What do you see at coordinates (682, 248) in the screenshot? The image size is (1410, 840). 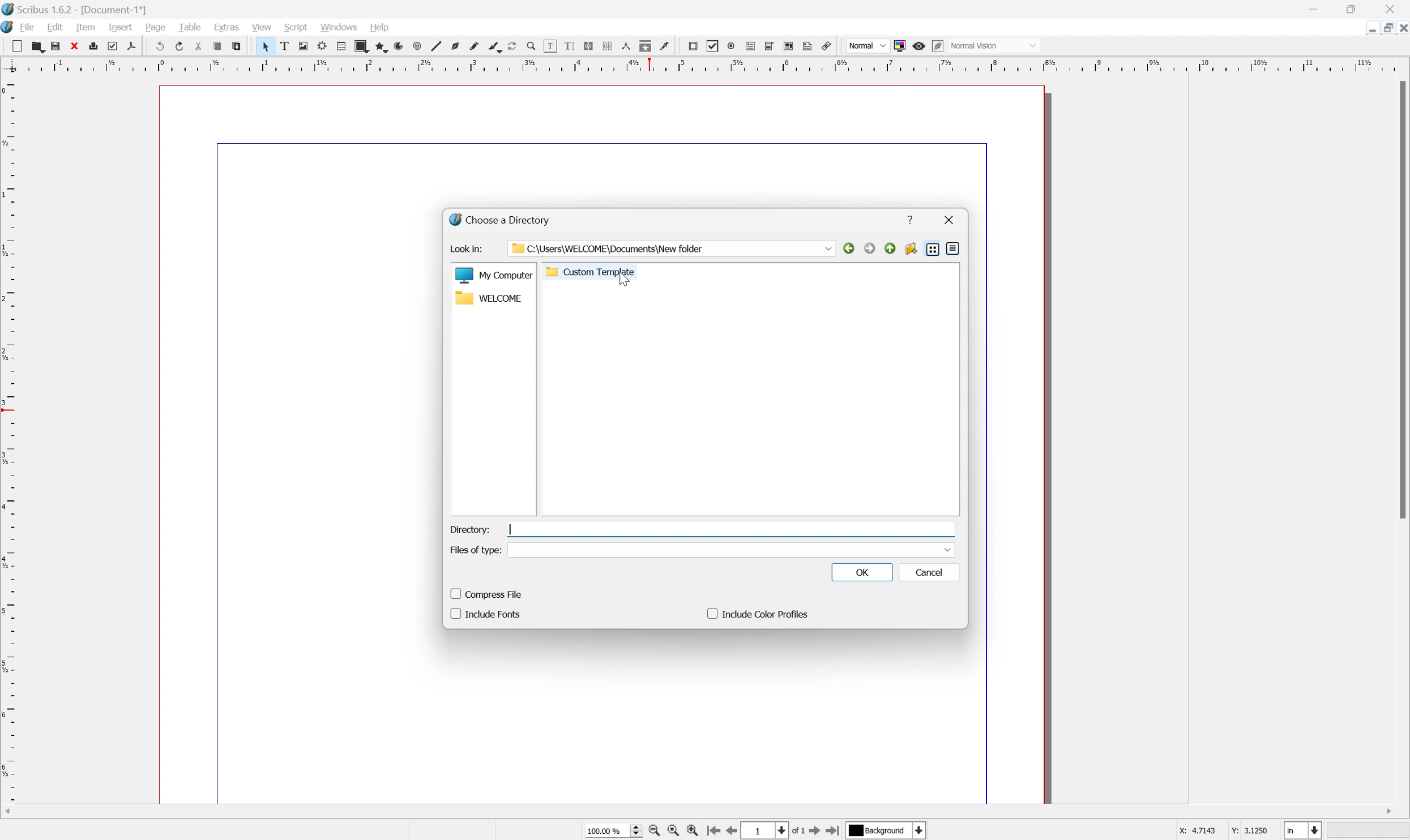 I see `C:\Users\WELCOME\Documents\New folder ` at bounding box center [682, 248].